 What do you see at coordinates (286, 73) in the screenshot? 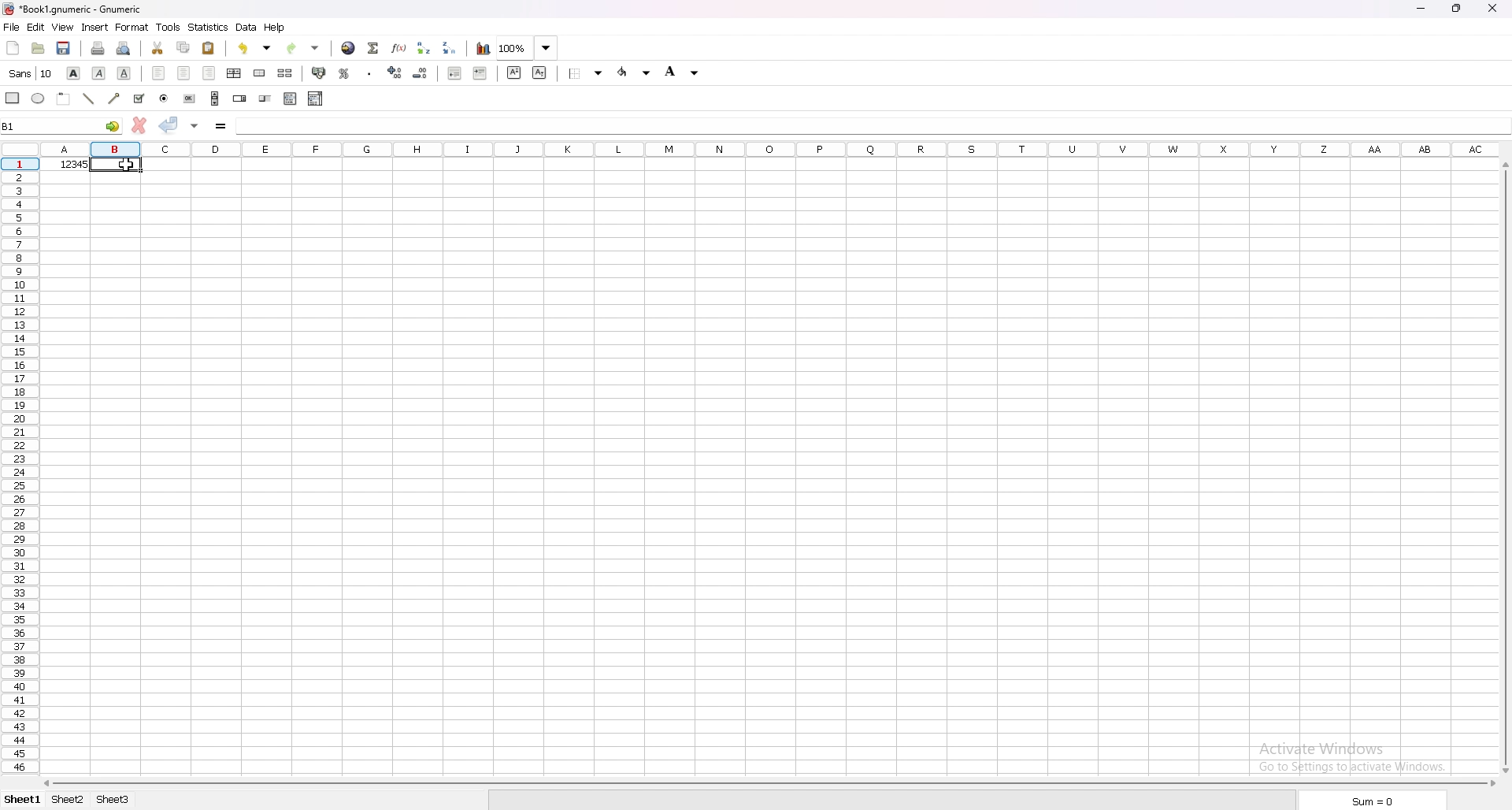
I see `split merged cells` at bounding box center [286, 73].